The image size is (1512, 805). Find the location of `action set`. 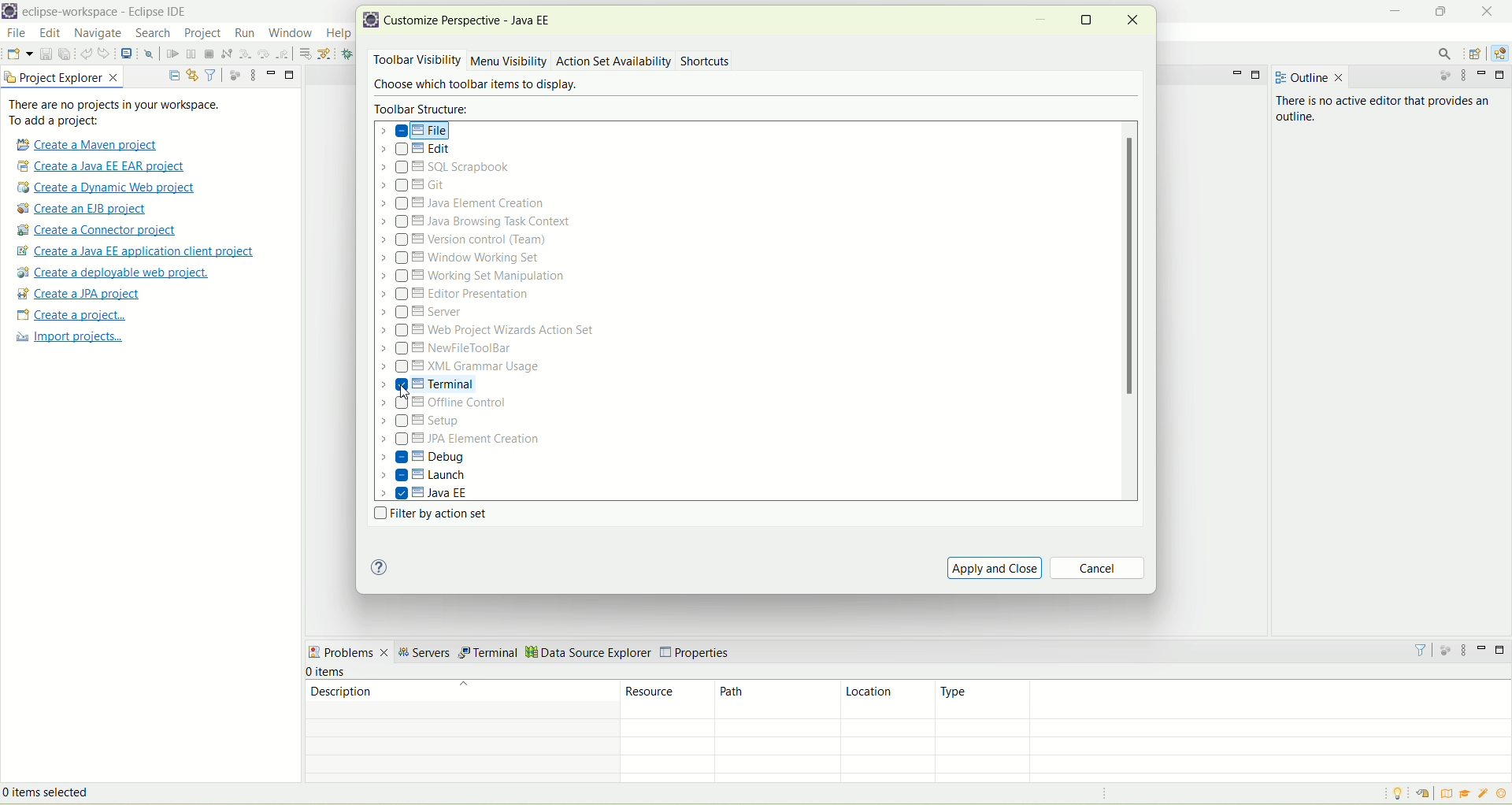

action set is located at coordinates (582, 60).